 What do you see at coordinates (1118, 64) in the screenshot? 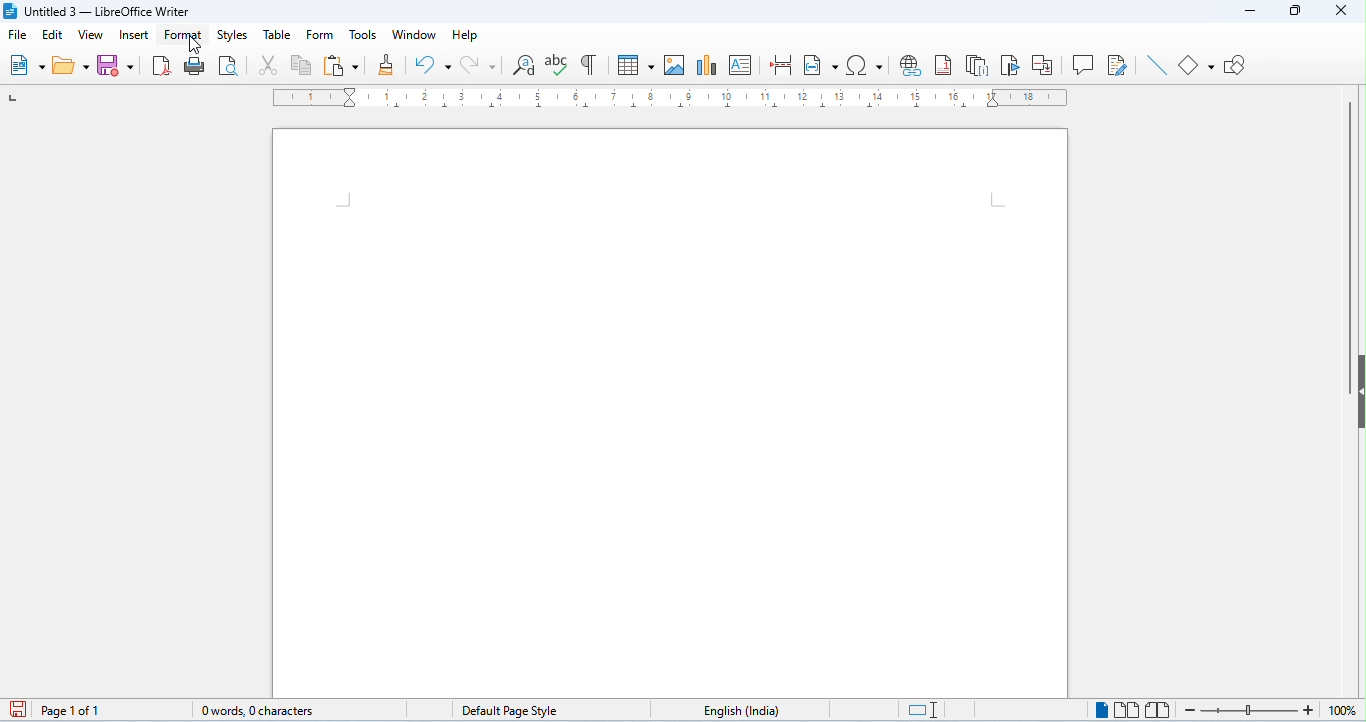
I see `show track changes` at bounding box center [1118, 64].